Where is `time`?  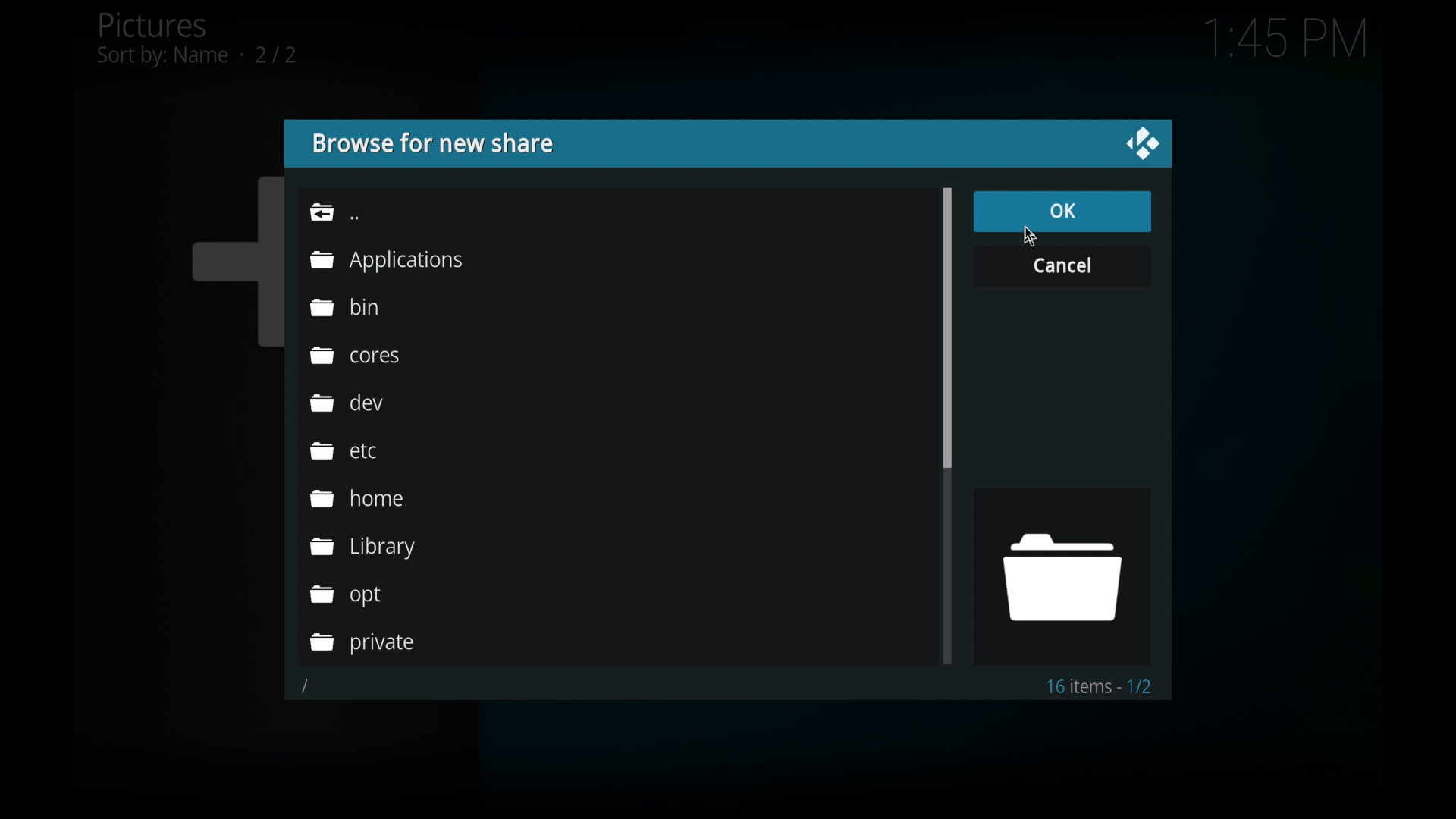
time is located at coordinates (1285, 39).